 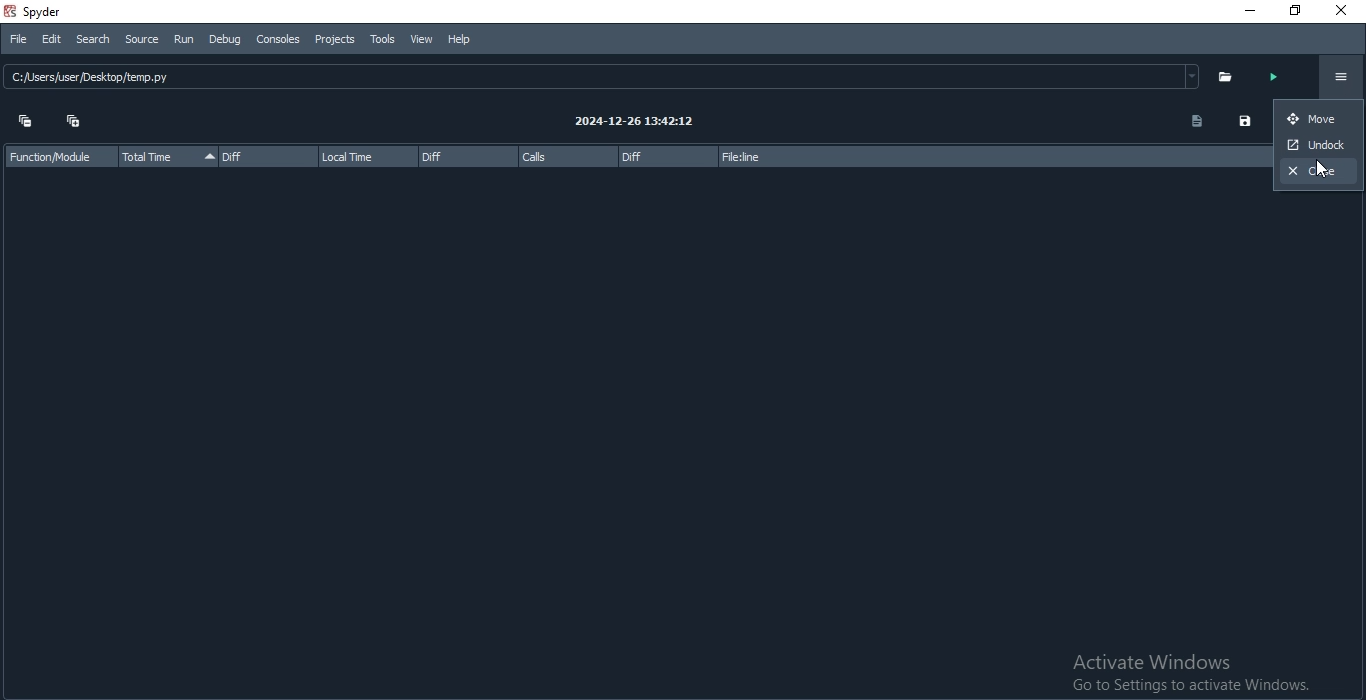 What do you see at coordinates (143, 40) in the screenshot?
I see `Source` at bounding box center [143, 40].